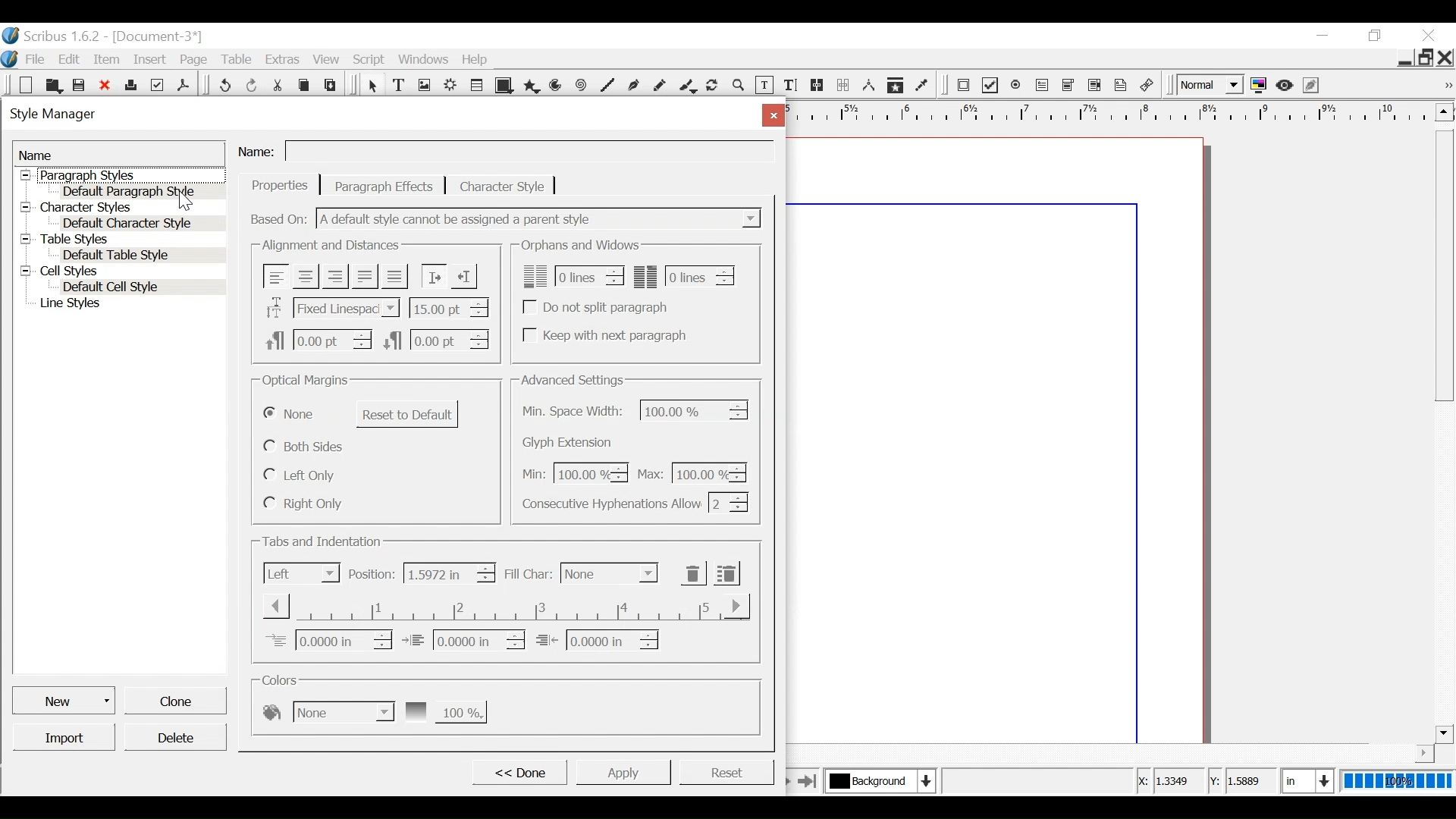  What do you see at coordinates (877, 780) in the screenshot?
I see `Select the current layer` at bounding box center [877, 780].